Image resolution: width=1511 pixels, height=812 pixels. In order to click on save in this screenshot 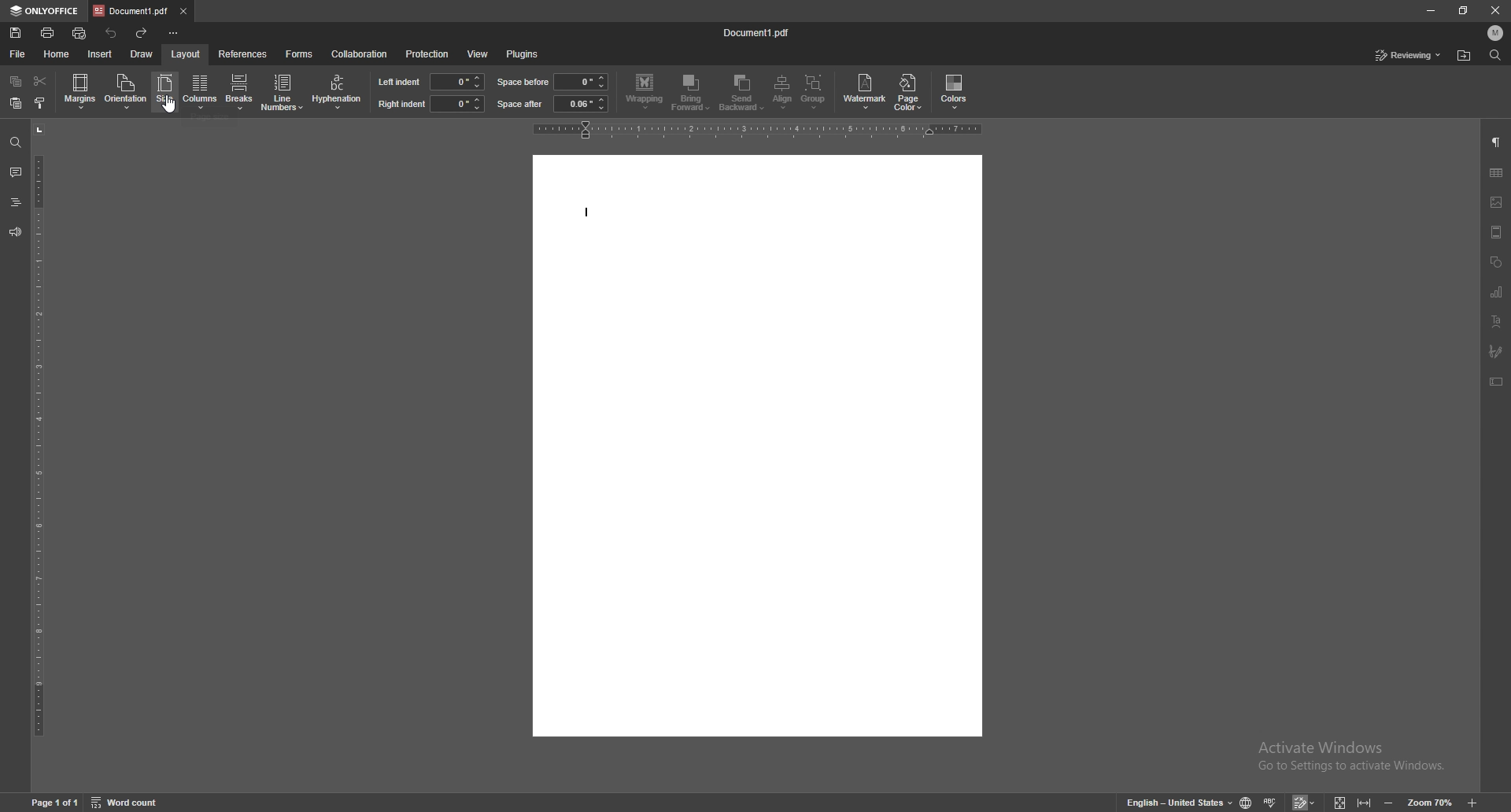, I will do `click(17, 32)`.